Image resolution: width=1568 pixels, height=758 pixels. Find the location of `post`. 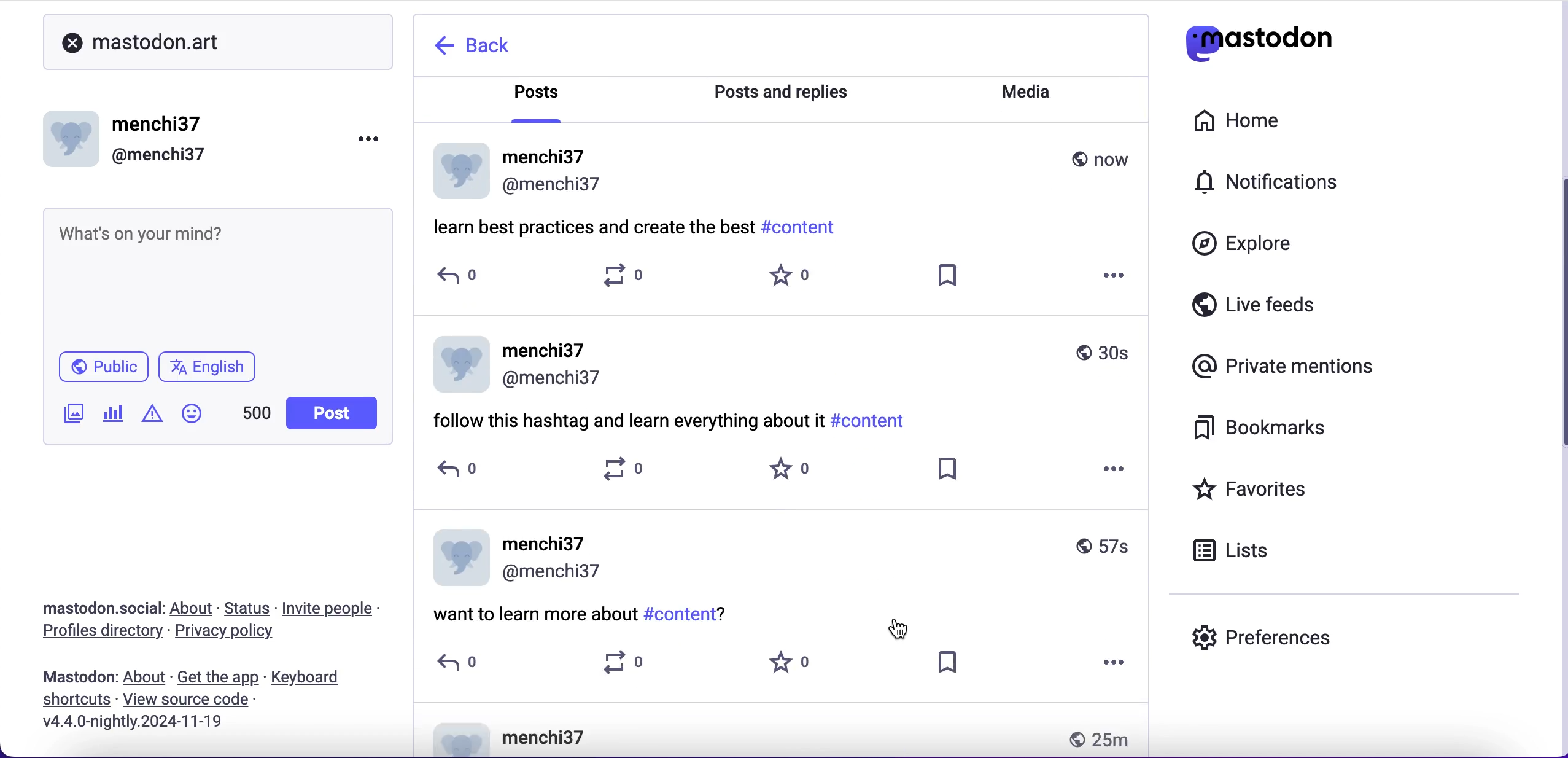

post is located at coordinates (626, 418).